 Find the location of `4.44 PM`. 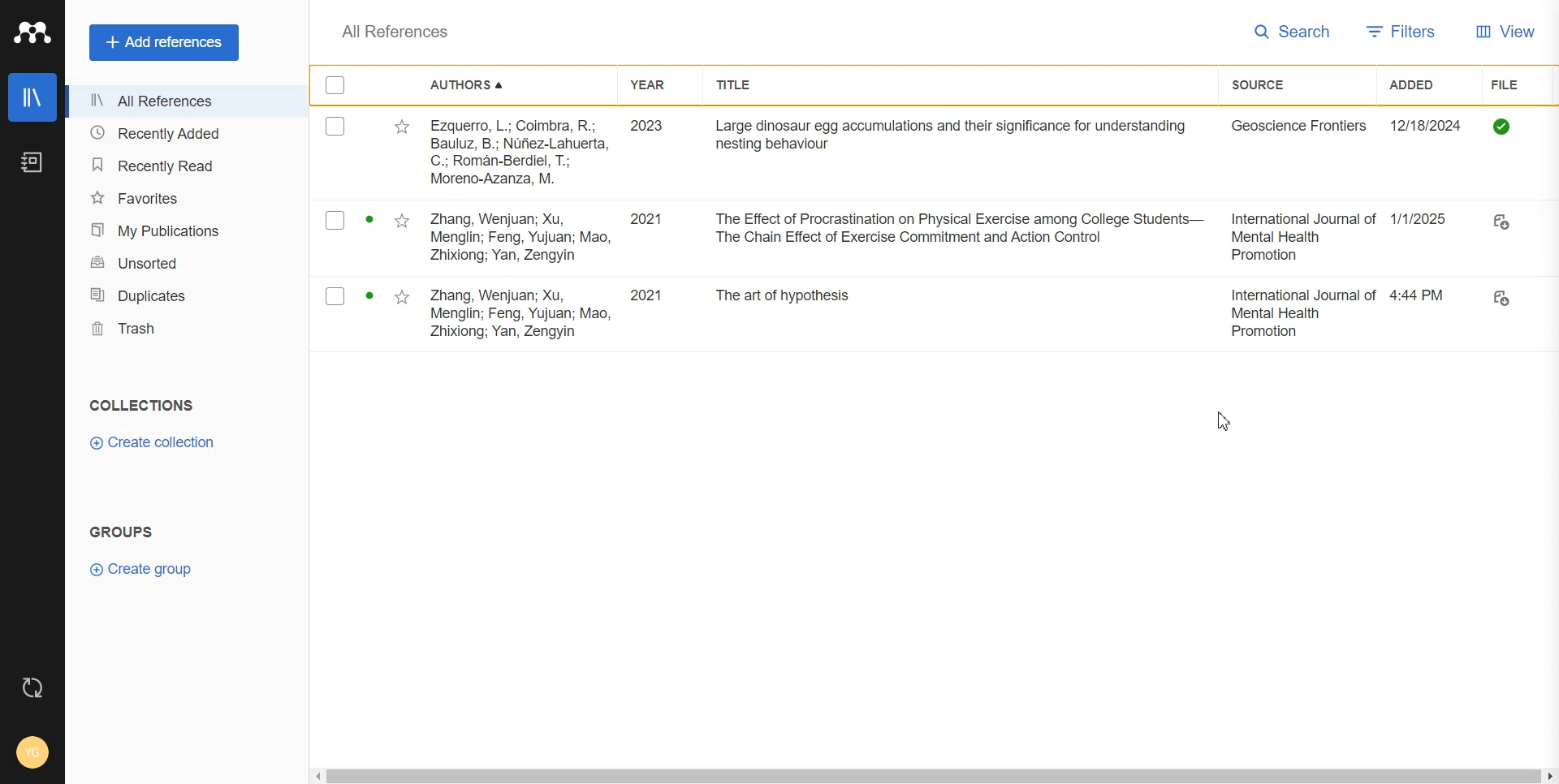

4.44 PM is located at coordinates (1426, 300).